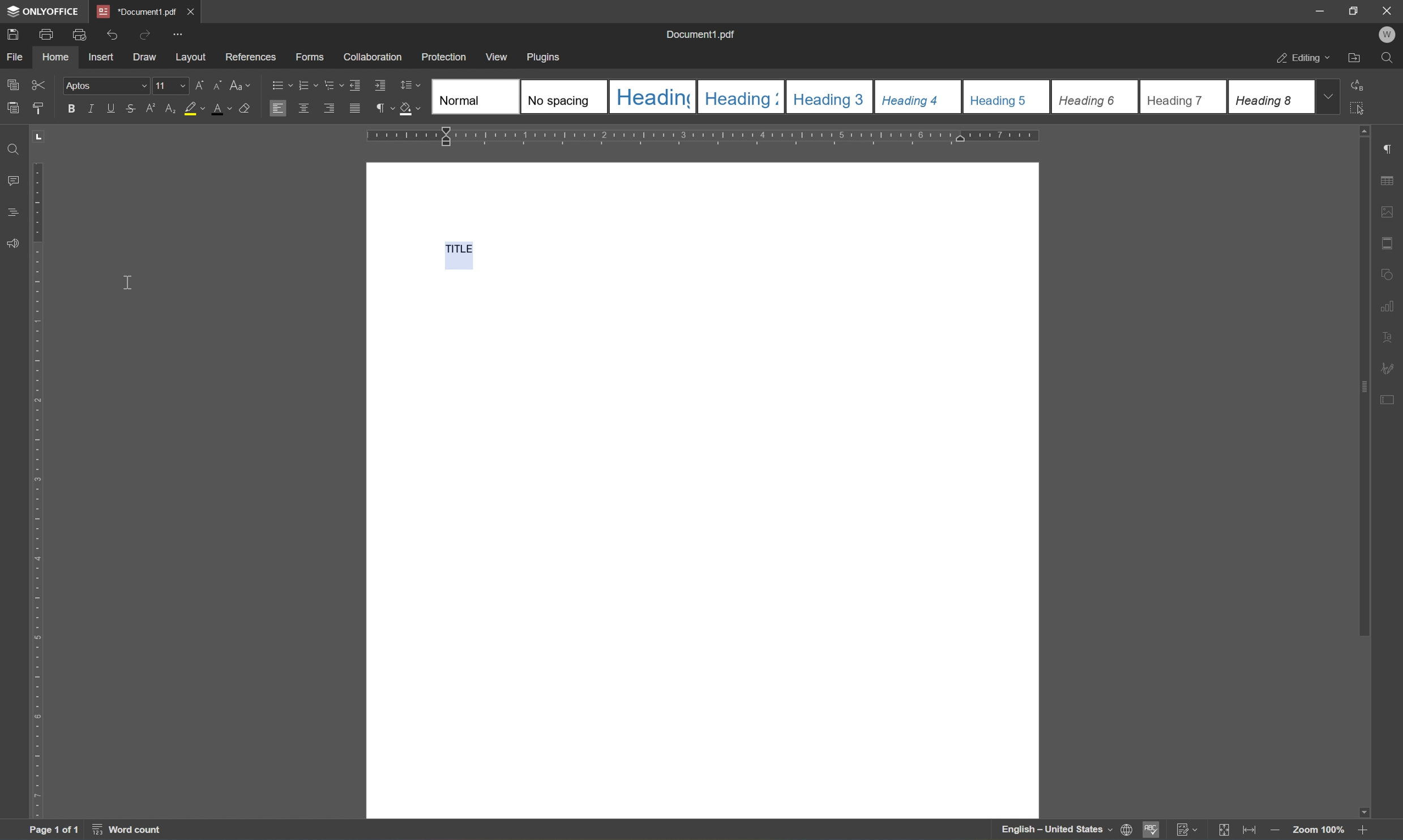  Describe the element at coordinates (1391, 335) in the screenshot. I see `text art settings` at that location.